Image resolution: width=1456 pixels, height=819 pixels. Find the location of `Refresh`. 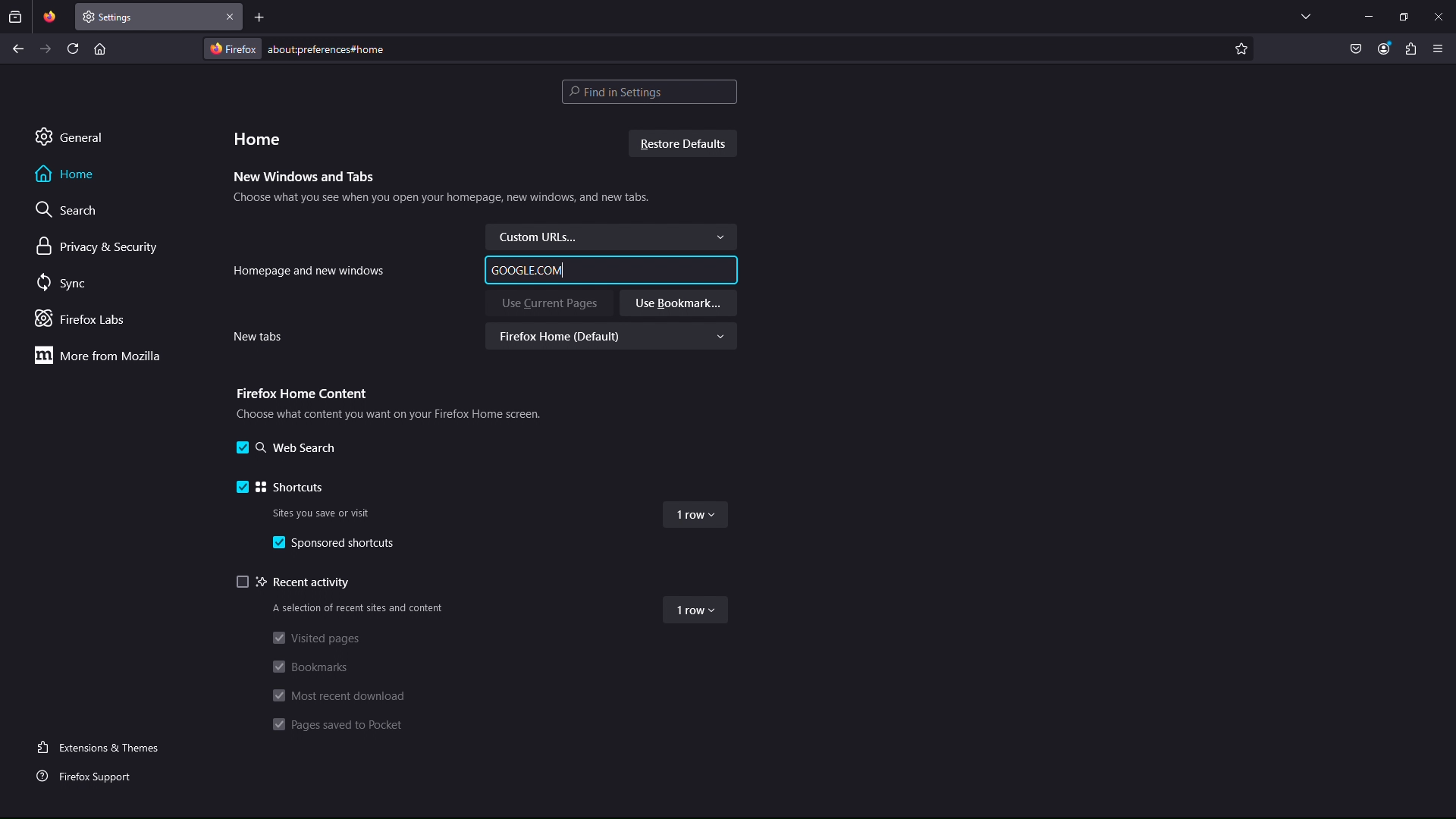

Refresh is located at coordinates (74, 48).